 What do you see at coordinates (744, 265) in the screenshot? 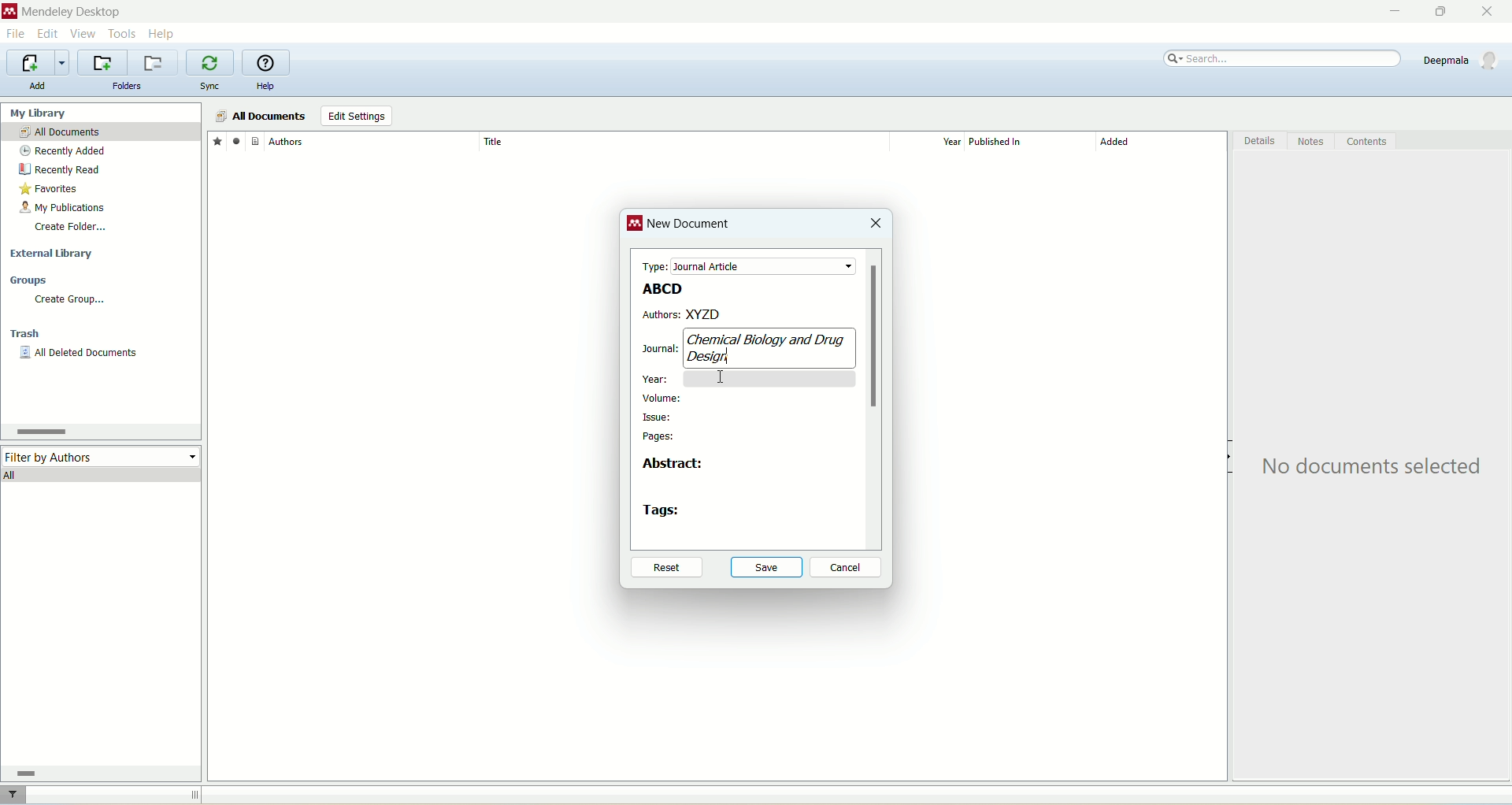
I see `type` at bounding box center [744, 265].